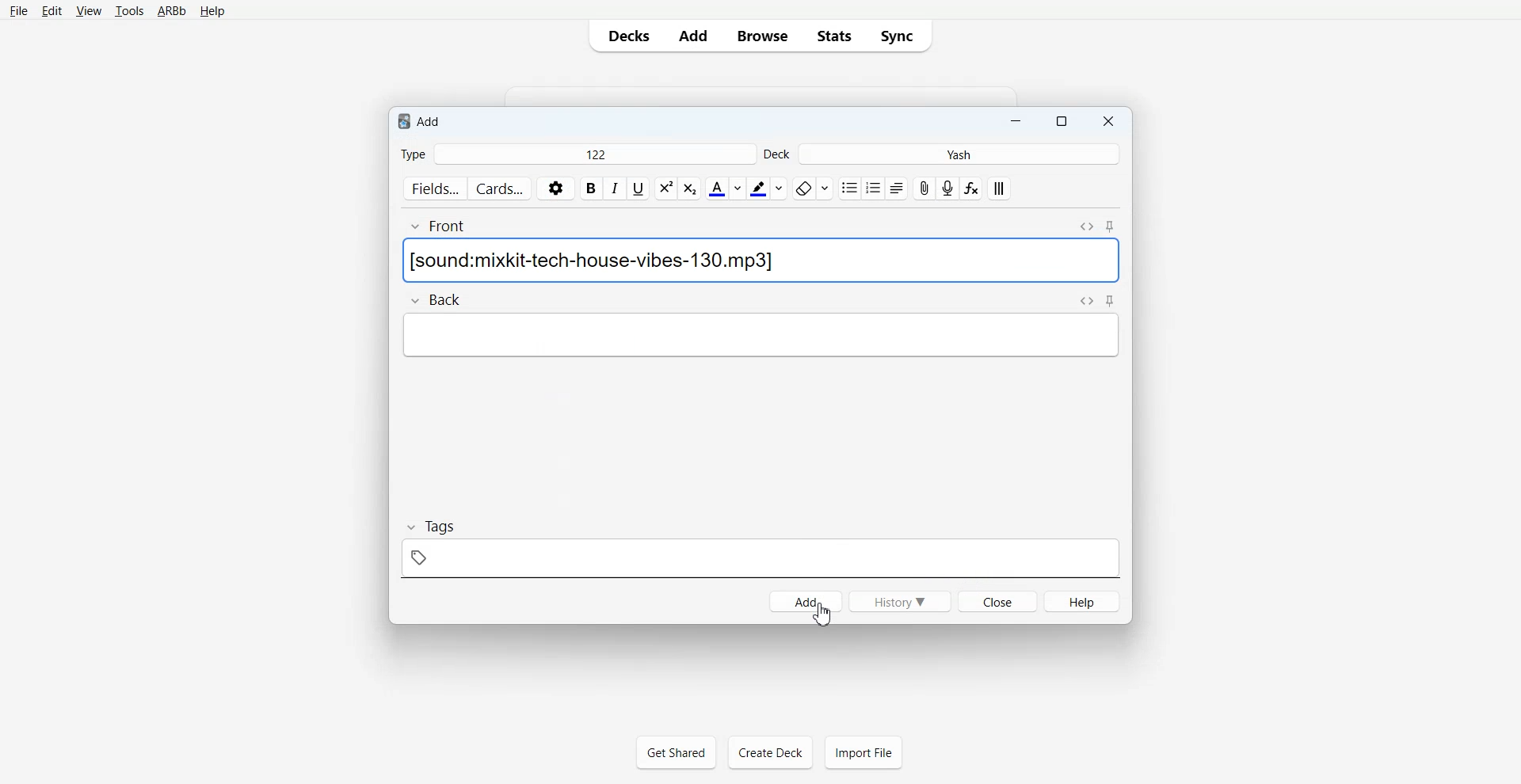 Image resolution: width=1521 pixels, height=784 pixels. I want to click on ARBb, so click(170, 10).